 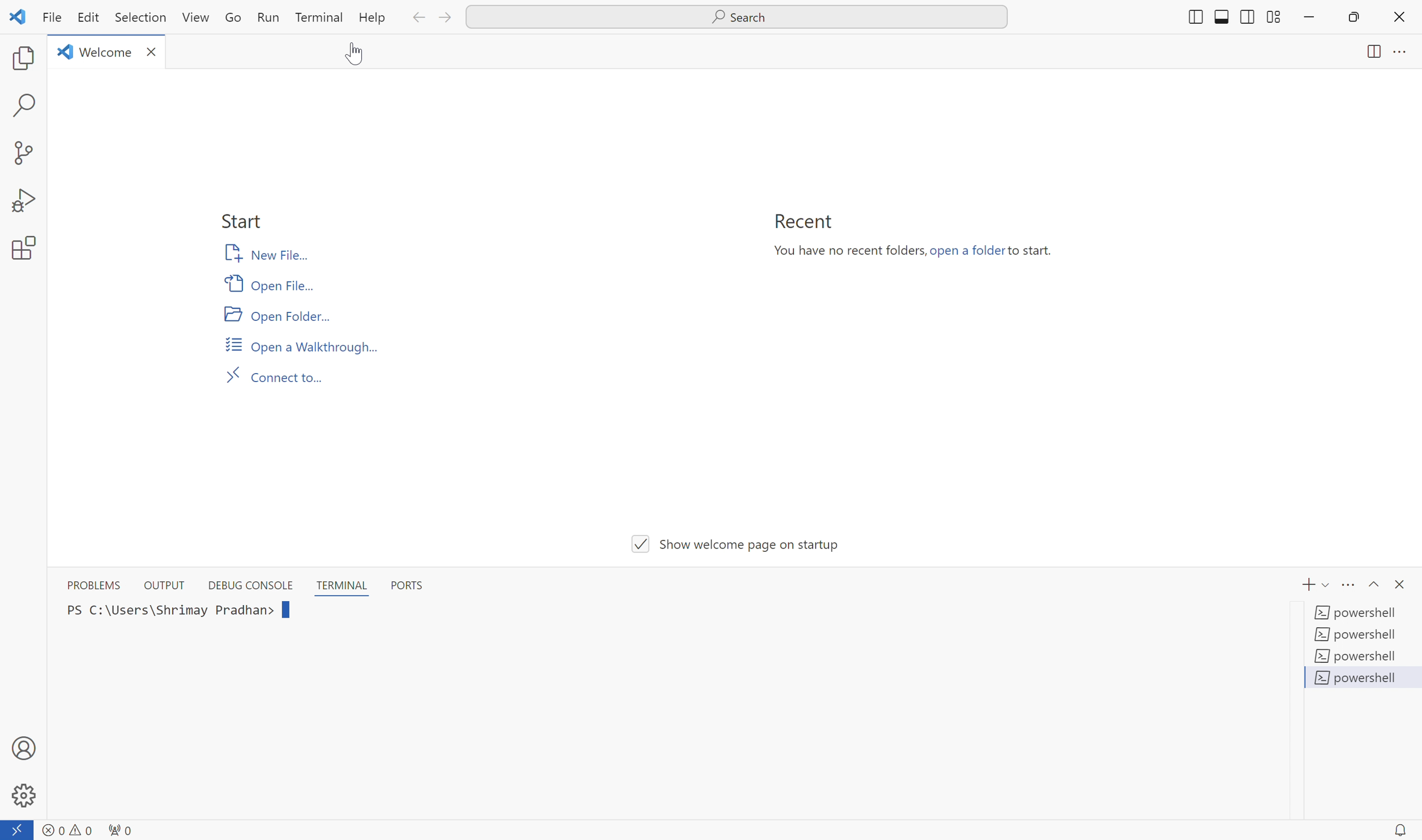 What do you see at coordinates (417, 19) in the screenshot?
I see `back` at bounding box center [417, 19].